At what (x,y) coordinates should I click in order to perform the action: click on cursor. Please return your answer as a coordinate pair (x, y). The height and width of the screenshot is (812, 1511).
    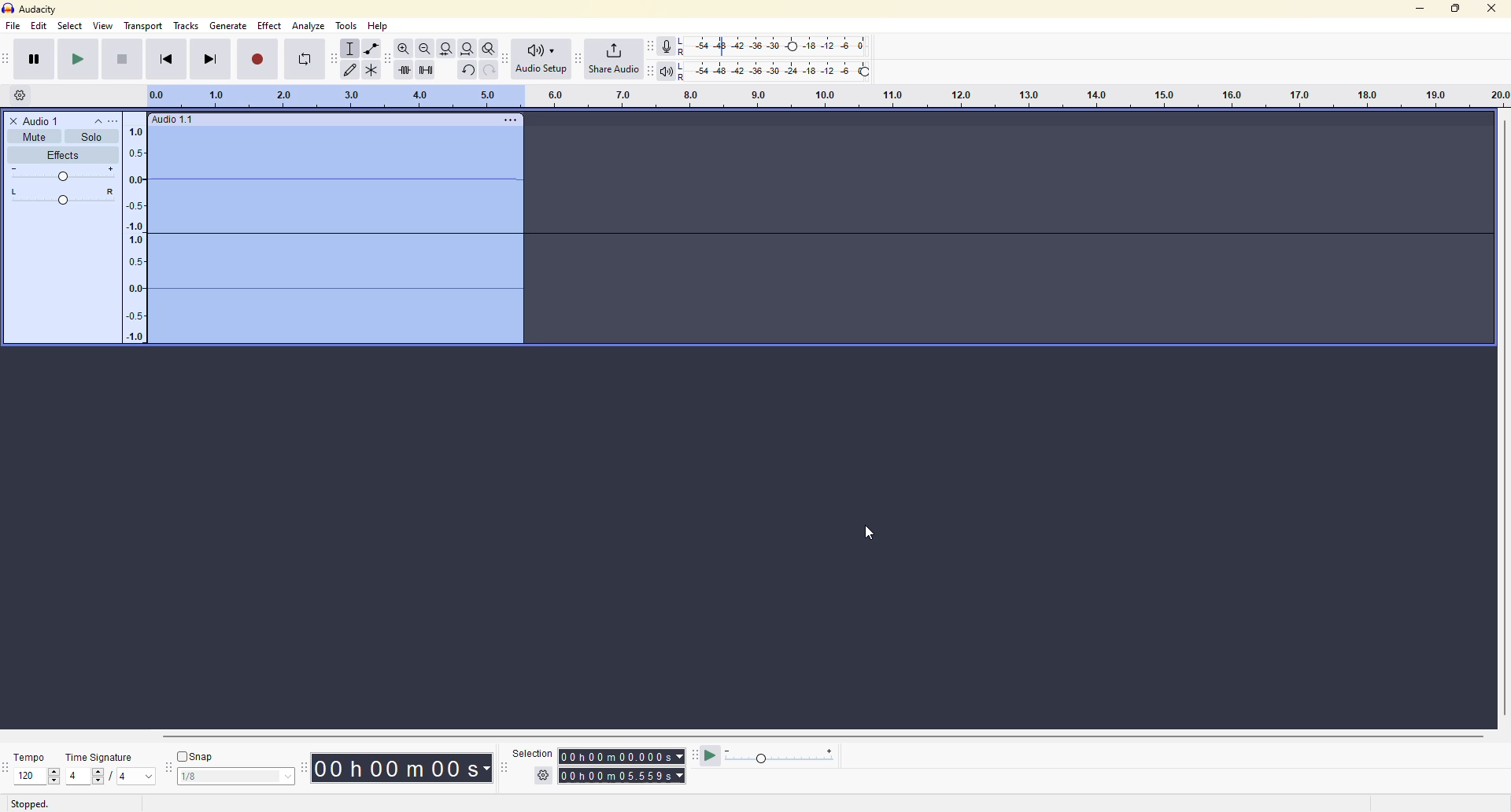
    Looking at the image, I should click on (868, 533).